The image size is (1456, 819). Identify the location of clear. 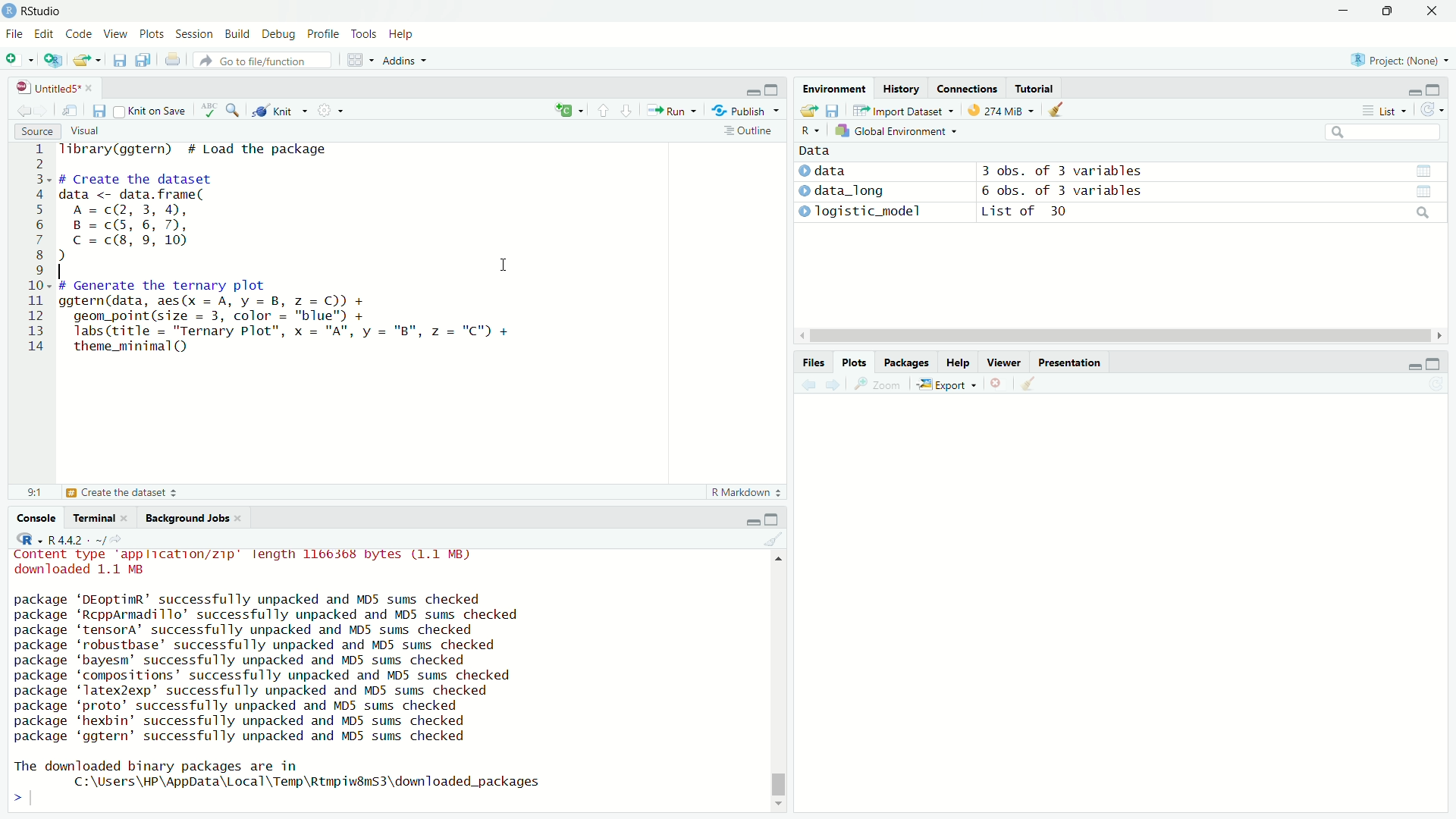
(1028, 383).